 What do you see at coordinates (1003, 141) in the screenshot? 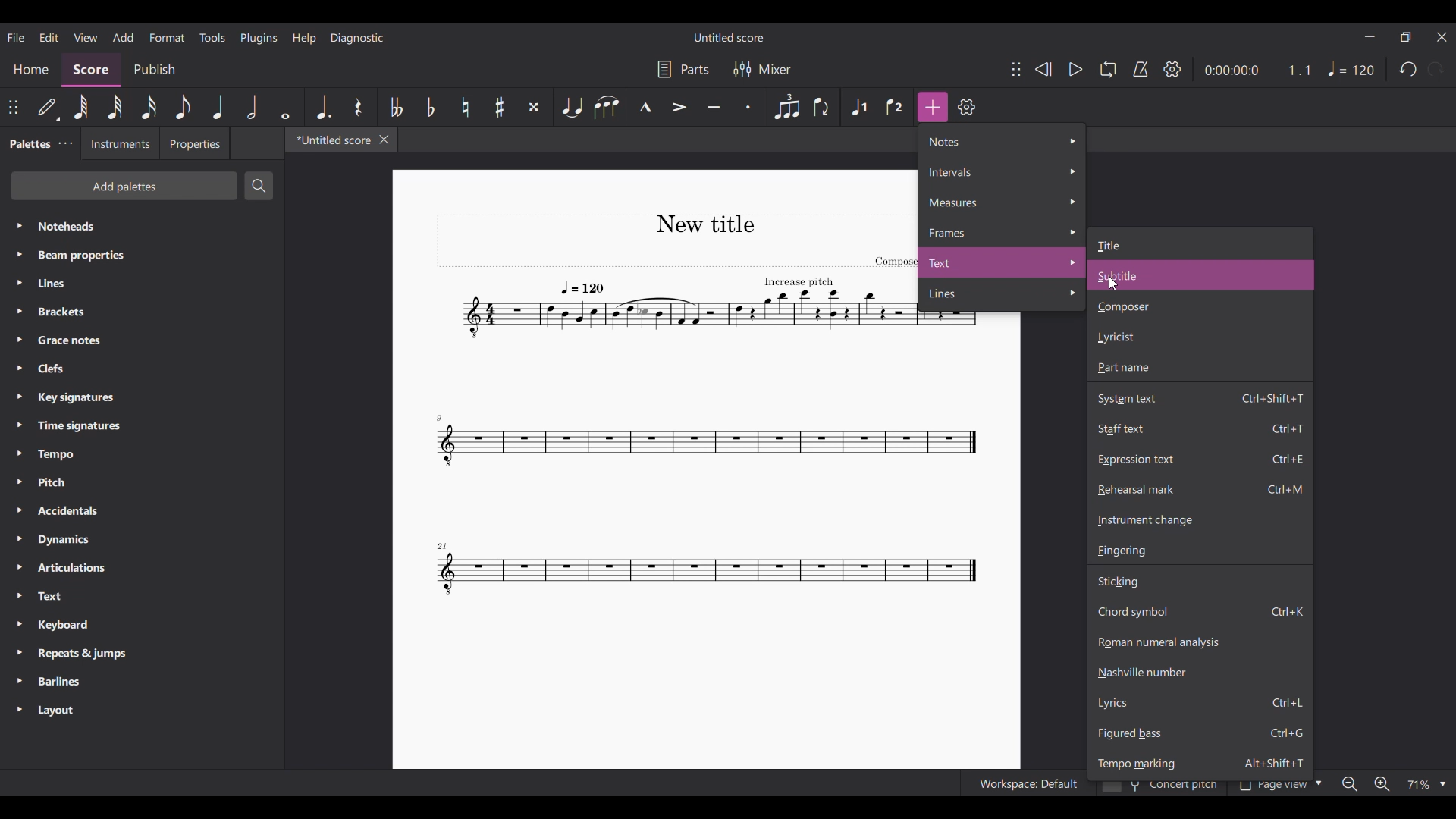
I see `Note options` at bounding box center [1003, 141].